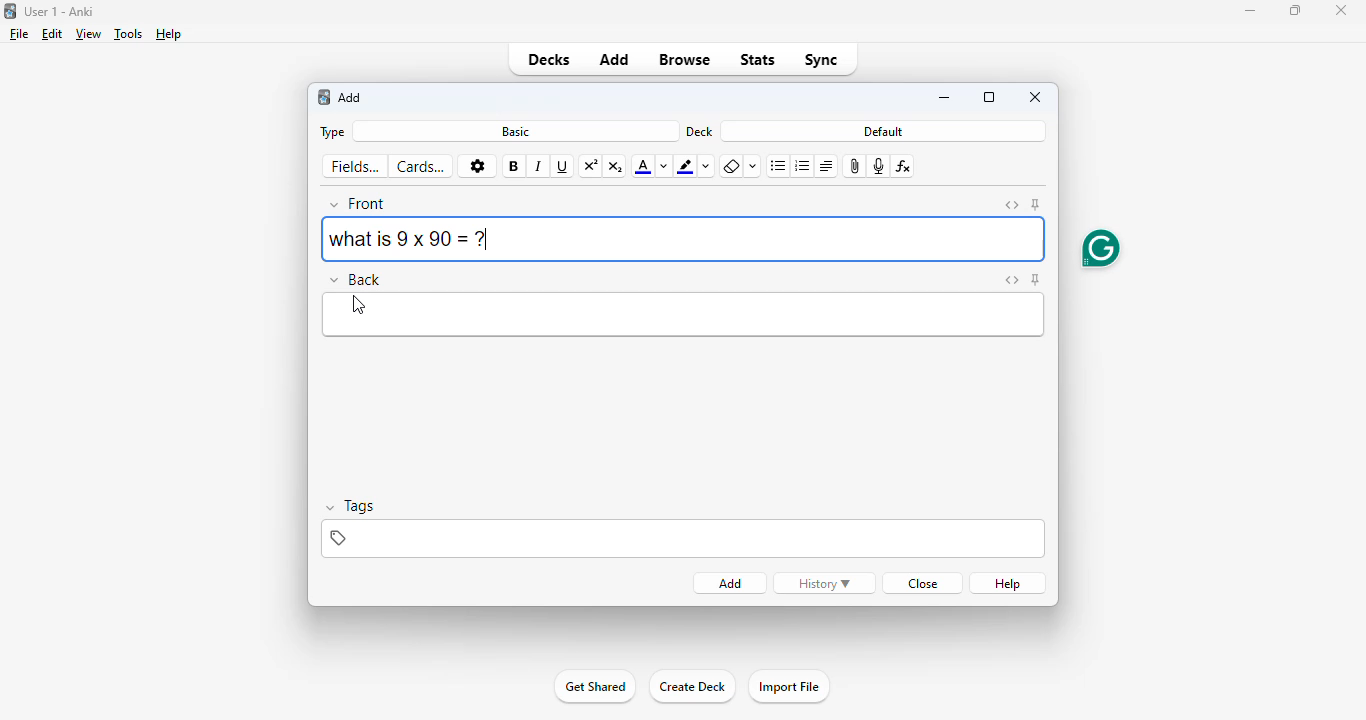 The image size is (1366, 720). What do you see at coordinates (700, 131) in the screenshot?
I see `deck` at bounding box center [700, 131].